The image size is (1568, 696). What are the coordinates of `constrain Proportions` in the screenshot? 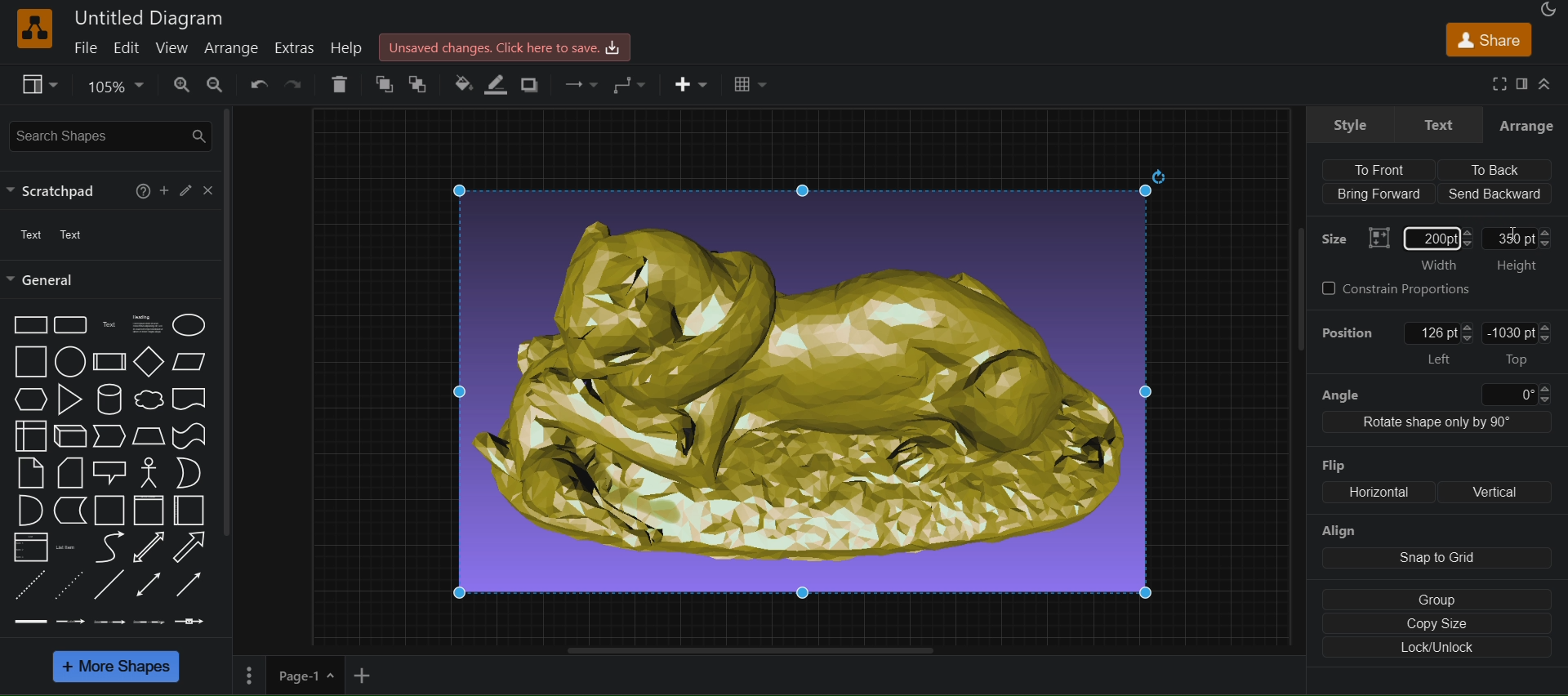 It's located at (1403, 289).